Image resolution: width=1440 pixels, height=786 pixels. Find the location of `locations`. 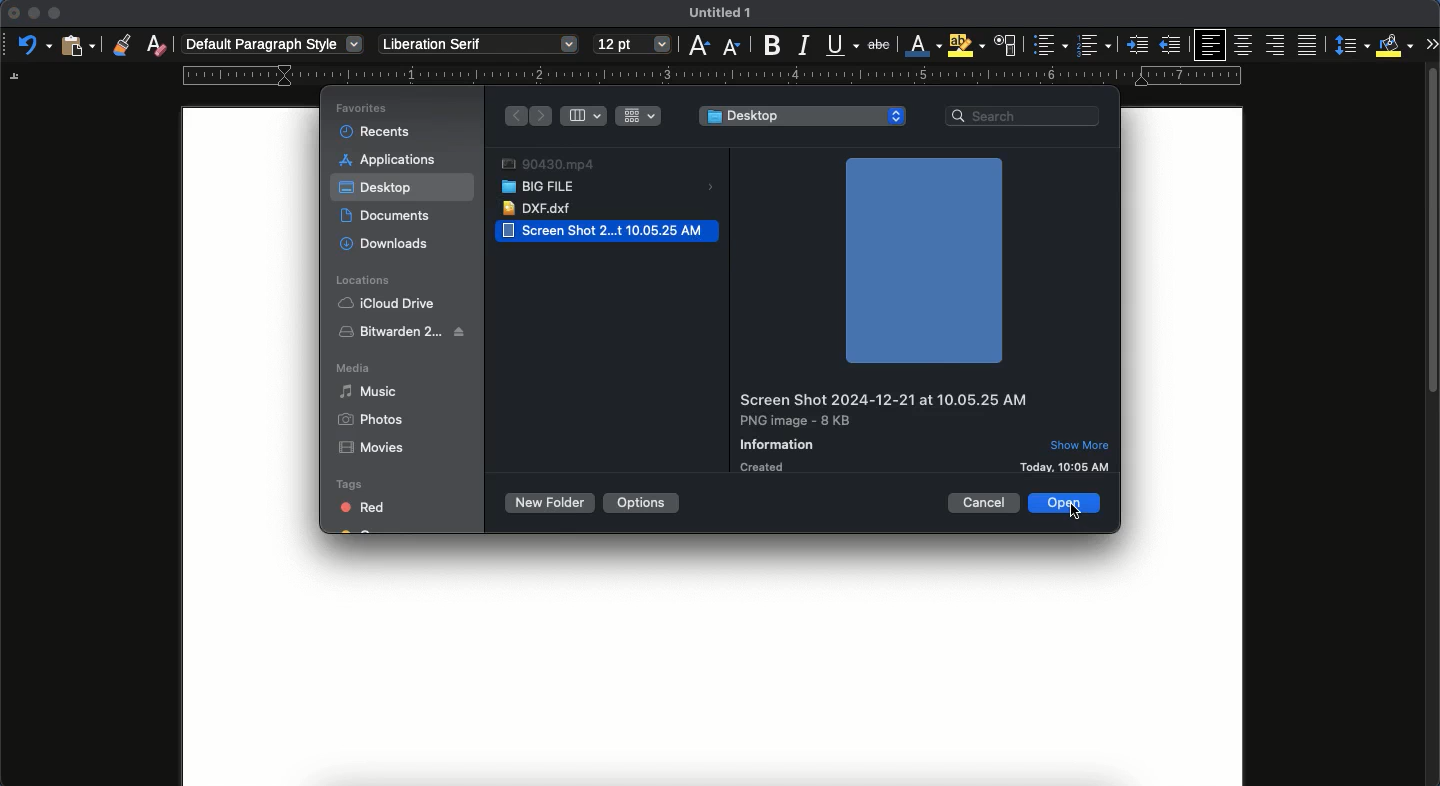

locations is located at coordinates (361, 278).